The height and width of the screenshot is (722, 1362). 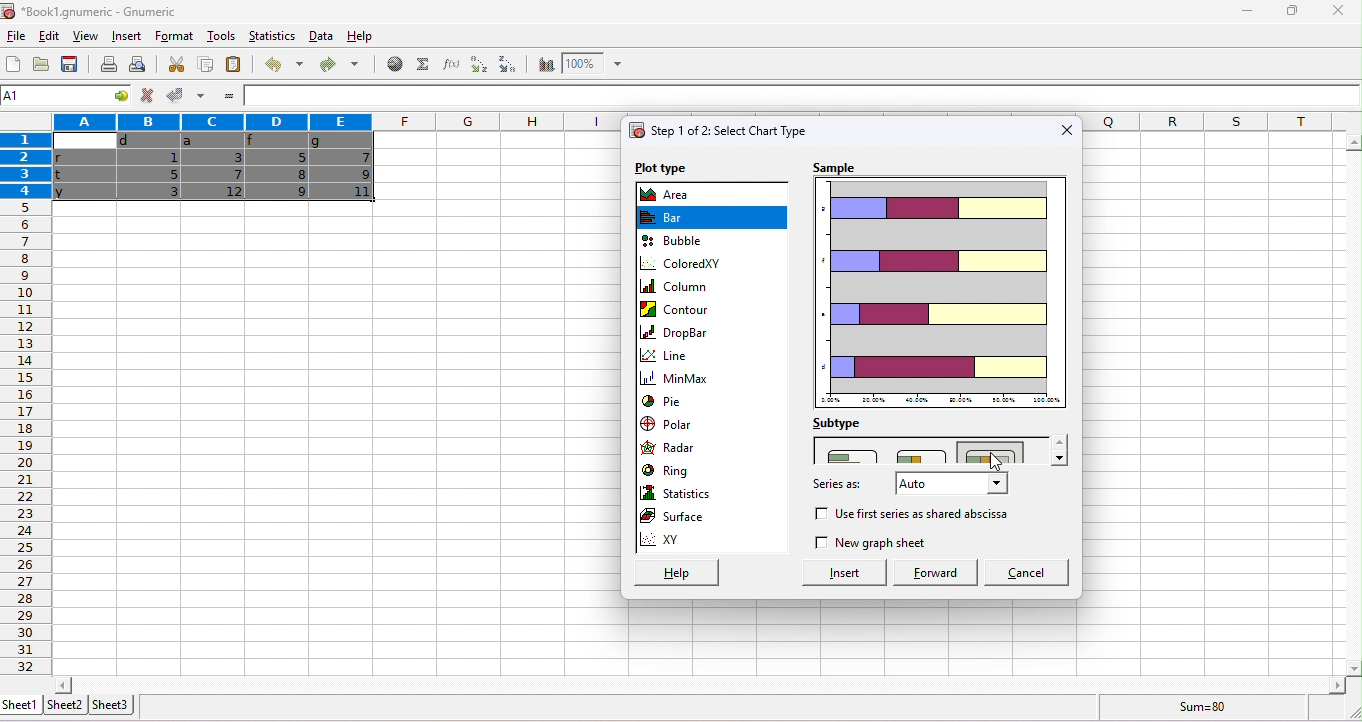 I want to click on statistics, so click(x=272, y=35).